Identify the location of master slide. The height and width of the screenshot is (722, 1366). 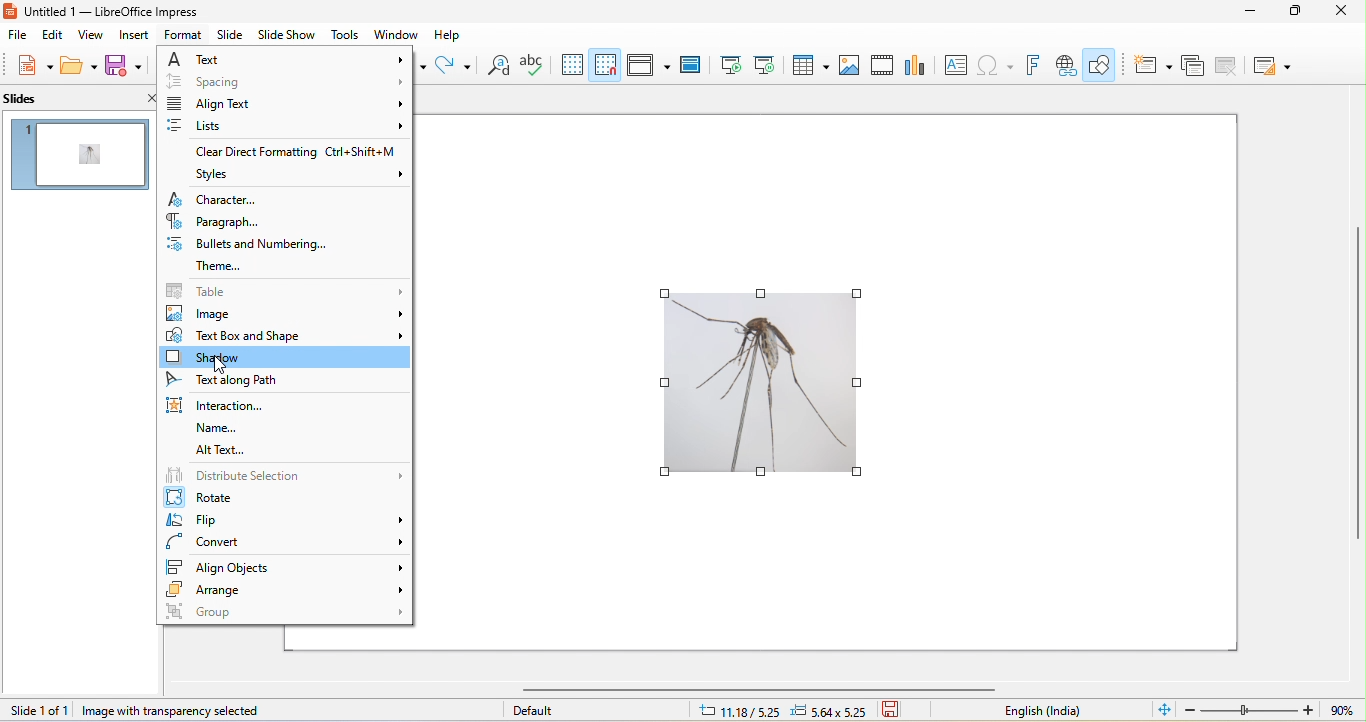
(690, 64).